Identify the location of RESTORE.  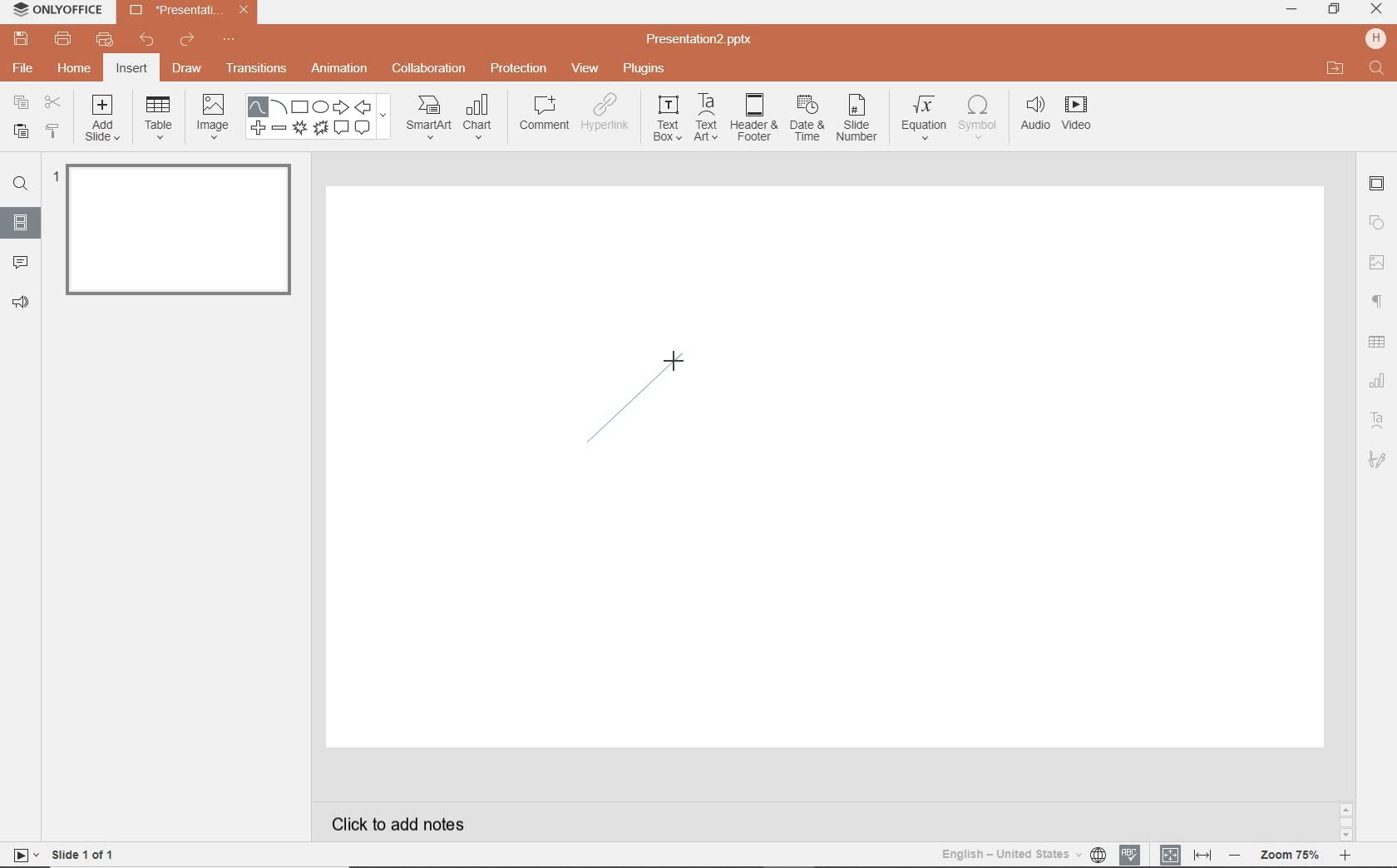
(1335, 9).